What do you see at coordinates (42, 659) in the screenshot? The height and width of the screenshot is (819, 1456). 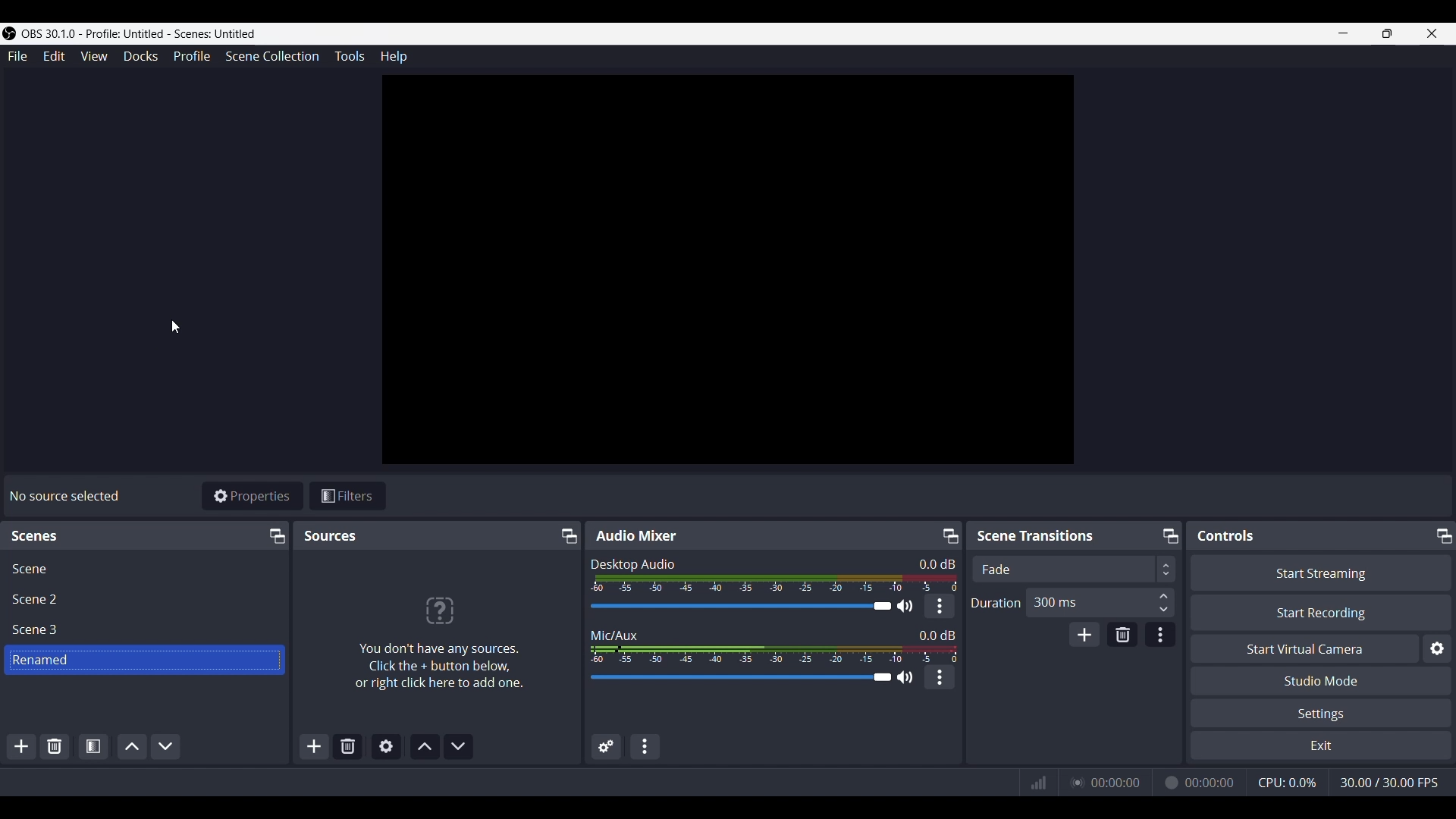 I see `Renamed` at bounding box center [42, 659].